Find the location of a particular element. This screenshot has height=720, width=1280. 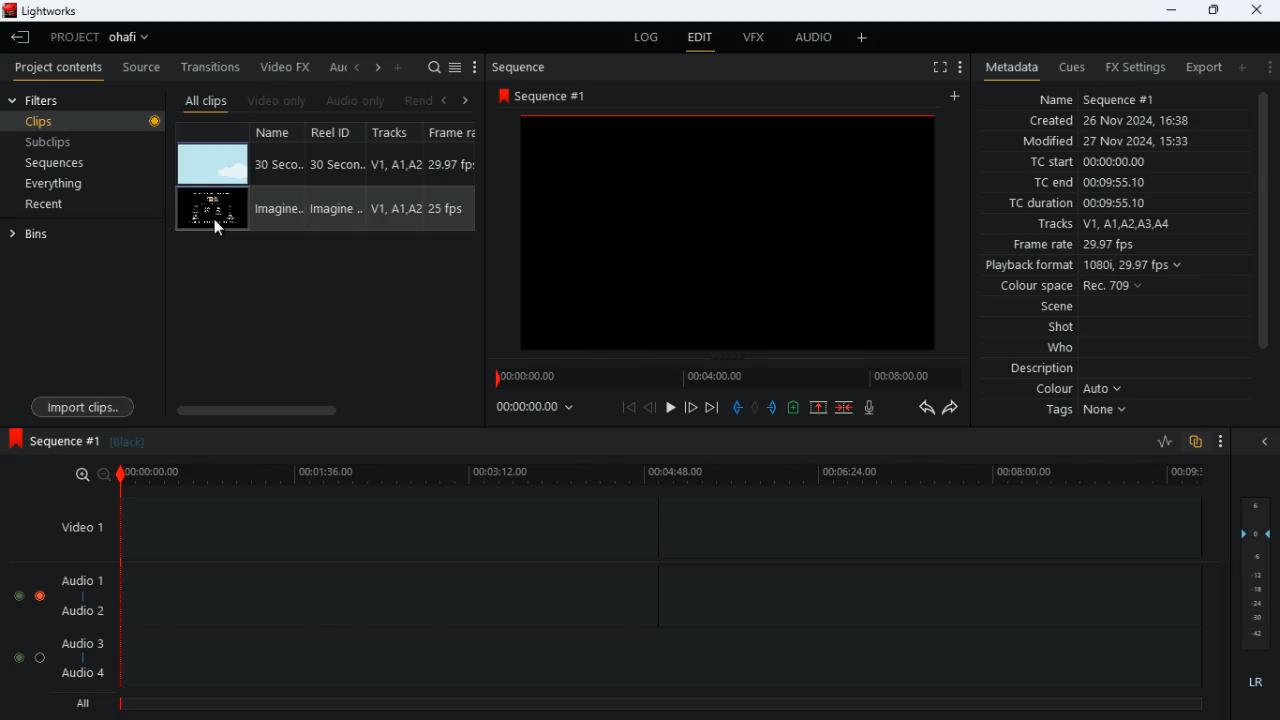

Reel ID is located at coordinates (336, 209).